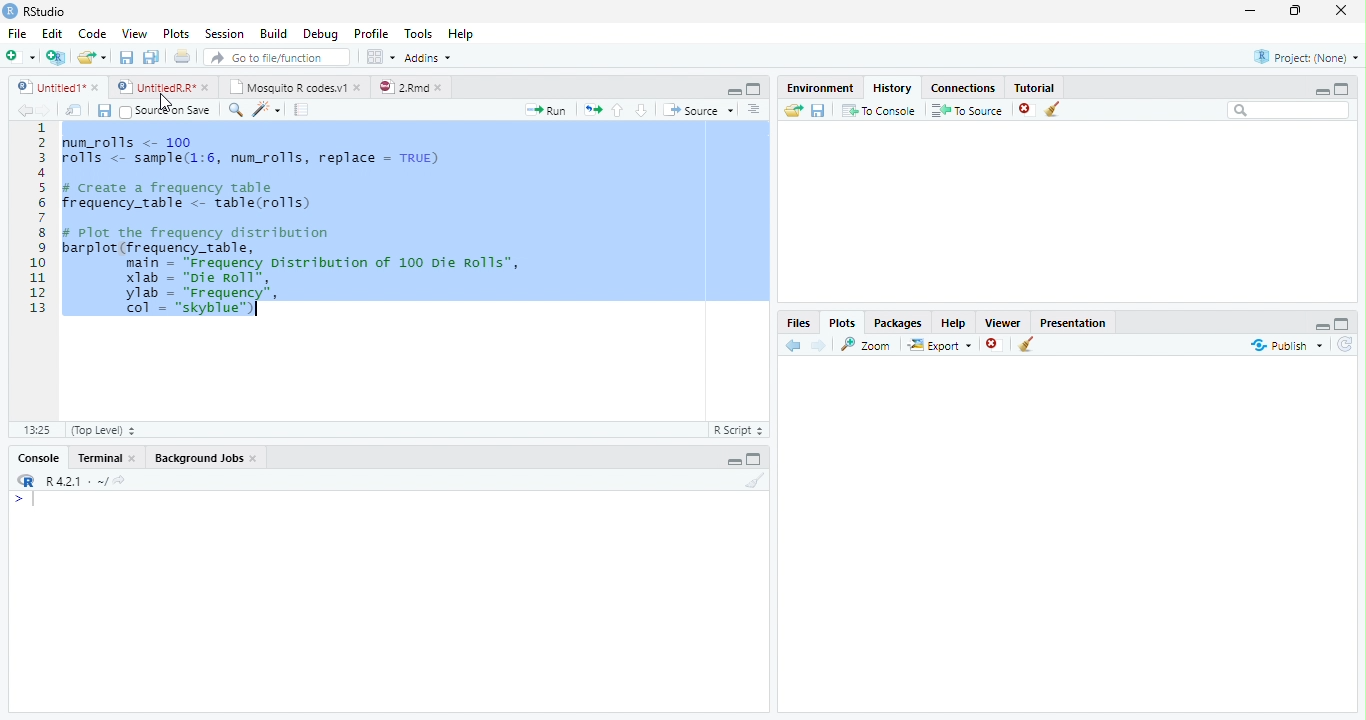  Describe the element at coordinates (207, 456) in the screenshot. I see `Background Jobs` at that location.